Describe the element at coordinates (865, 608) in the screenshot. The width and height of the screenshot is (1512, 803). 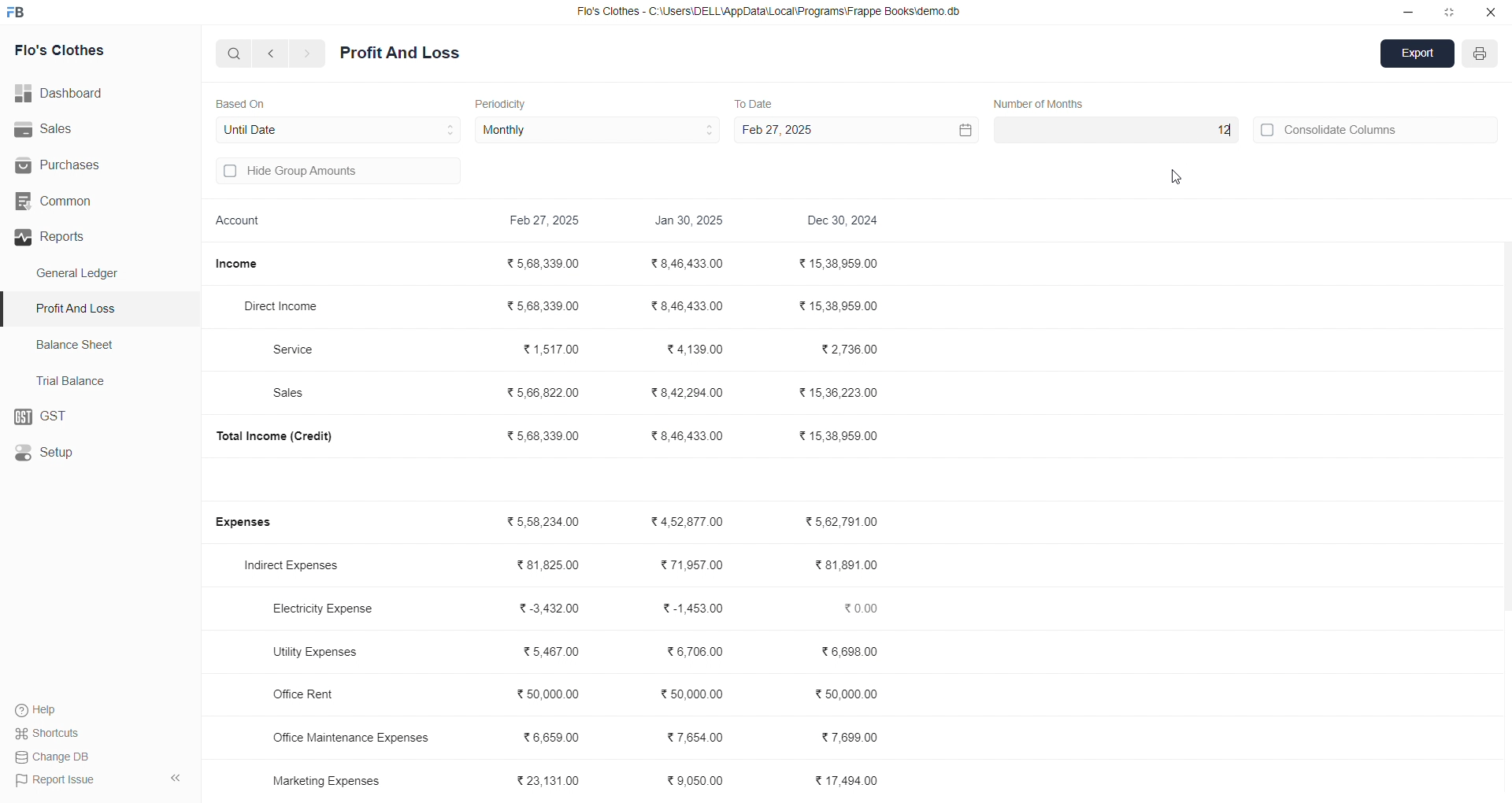
I see `₹0.00` at that location.